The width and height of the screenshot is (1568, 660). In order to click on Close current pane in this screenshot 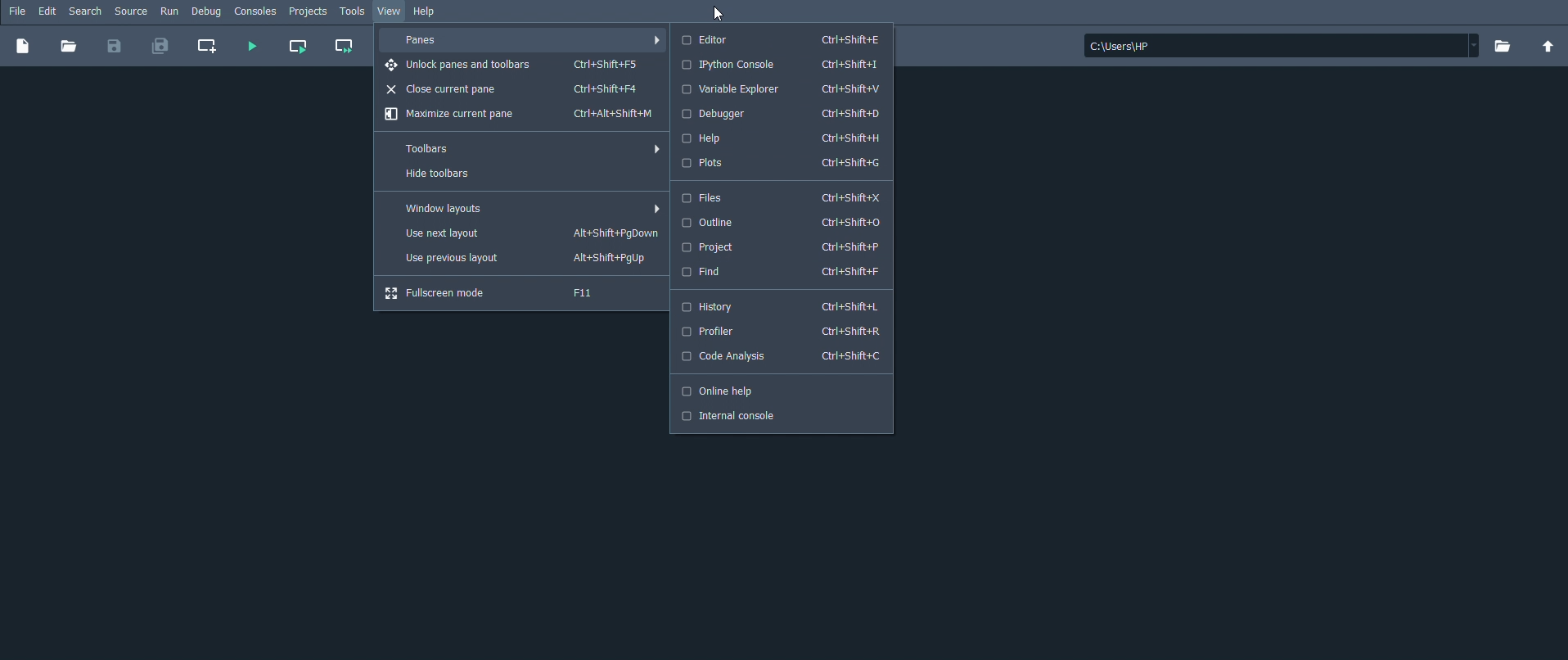, I will do `click(524, 88)`.